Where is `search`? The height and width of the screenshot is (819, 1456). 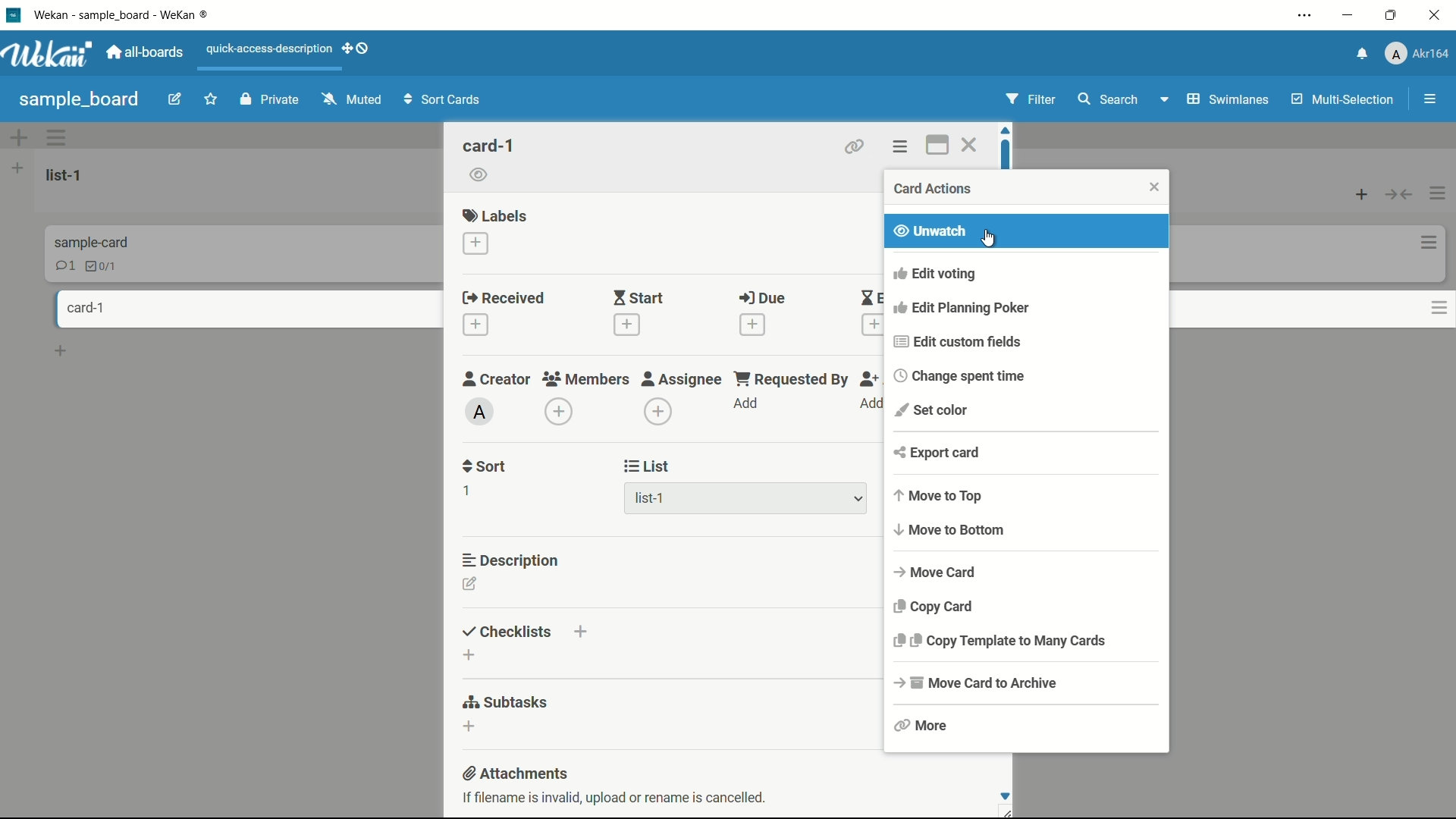
search is located at coordinates (1108, 100).